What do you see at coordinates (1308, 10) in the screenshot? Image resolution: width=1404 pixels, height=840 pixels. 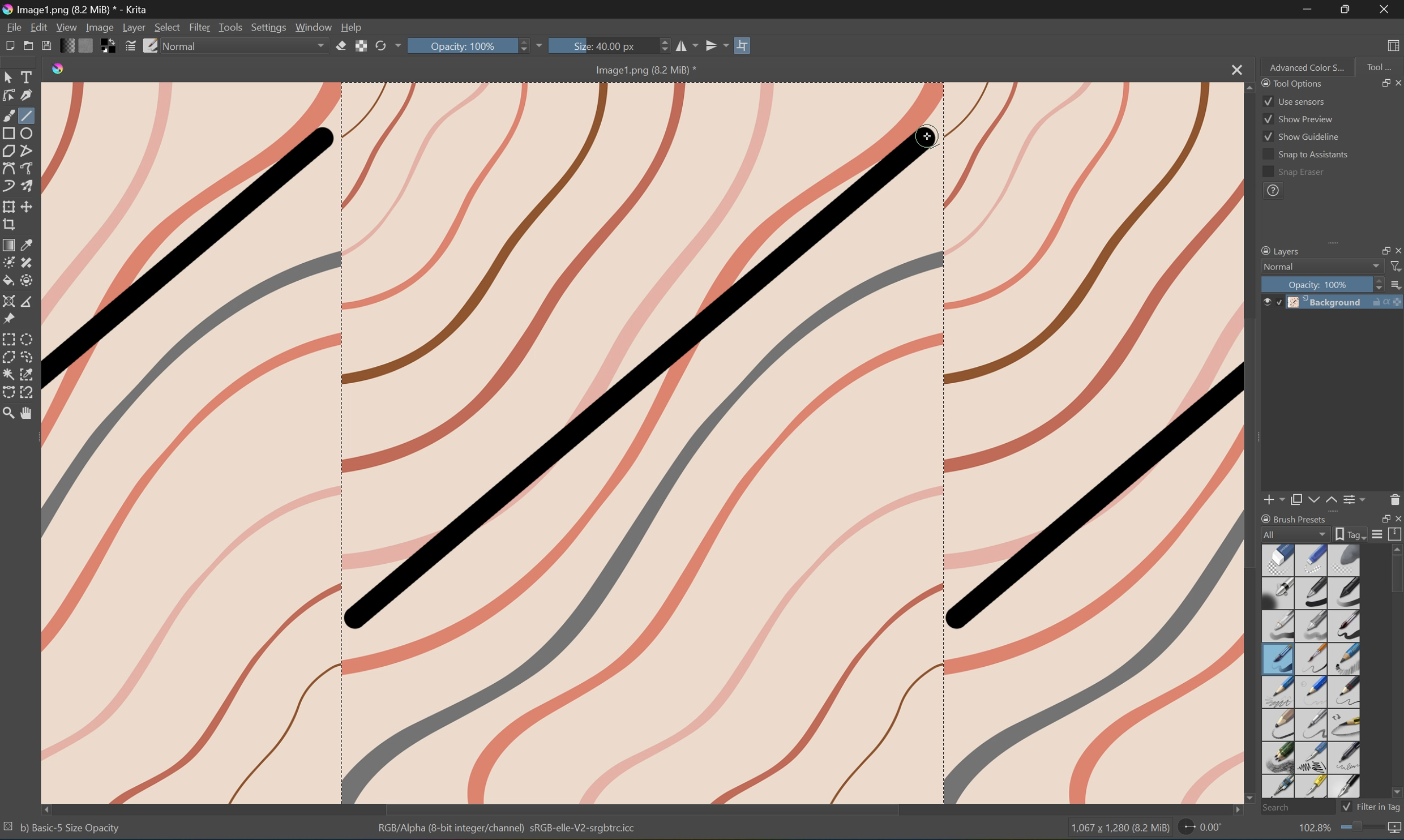 I see `Minimize` at bounding box center [1308, 10].